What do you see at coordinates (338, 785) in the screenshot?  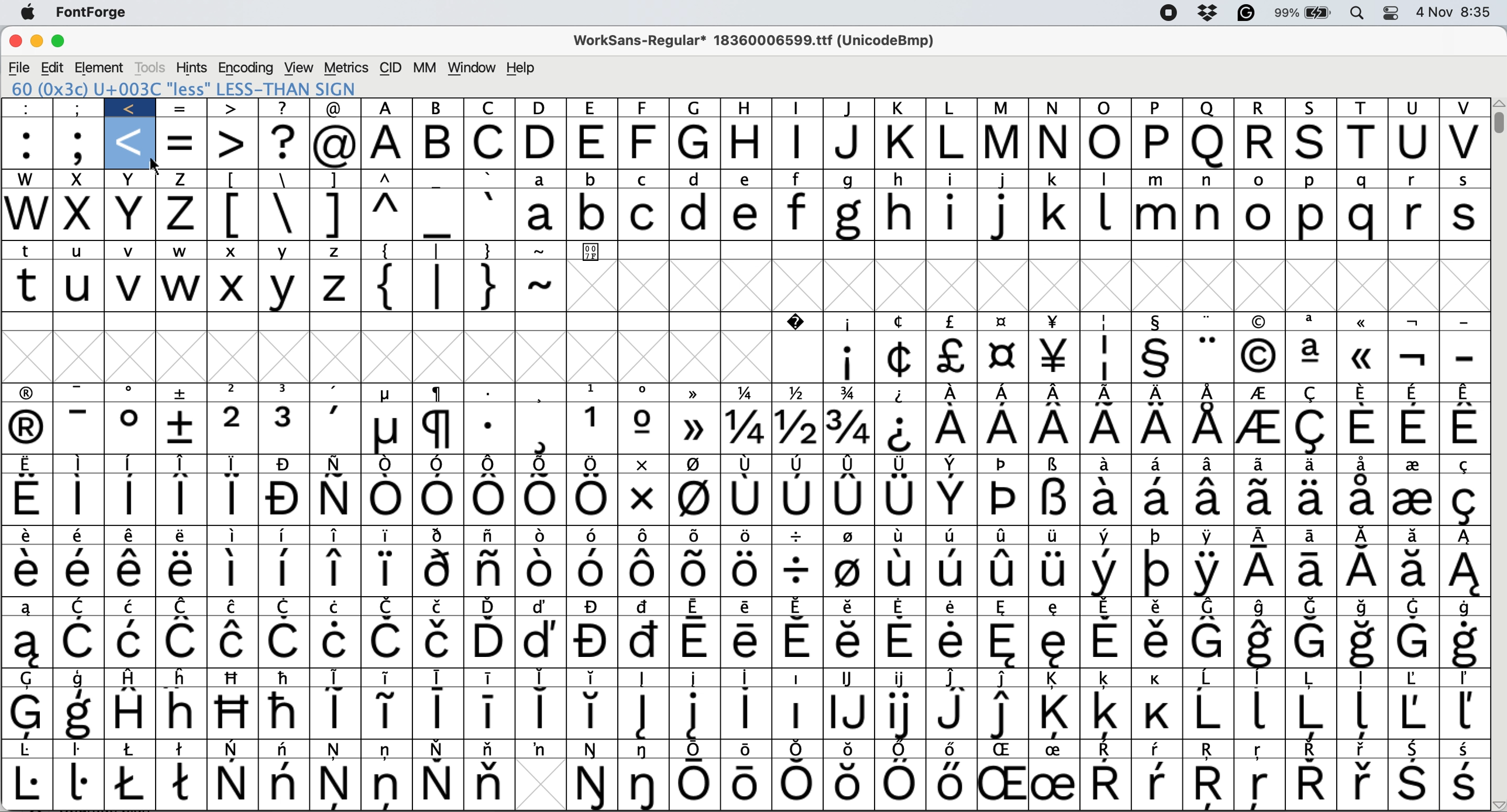 I see `Symbol` at bounding box center [338, 785].